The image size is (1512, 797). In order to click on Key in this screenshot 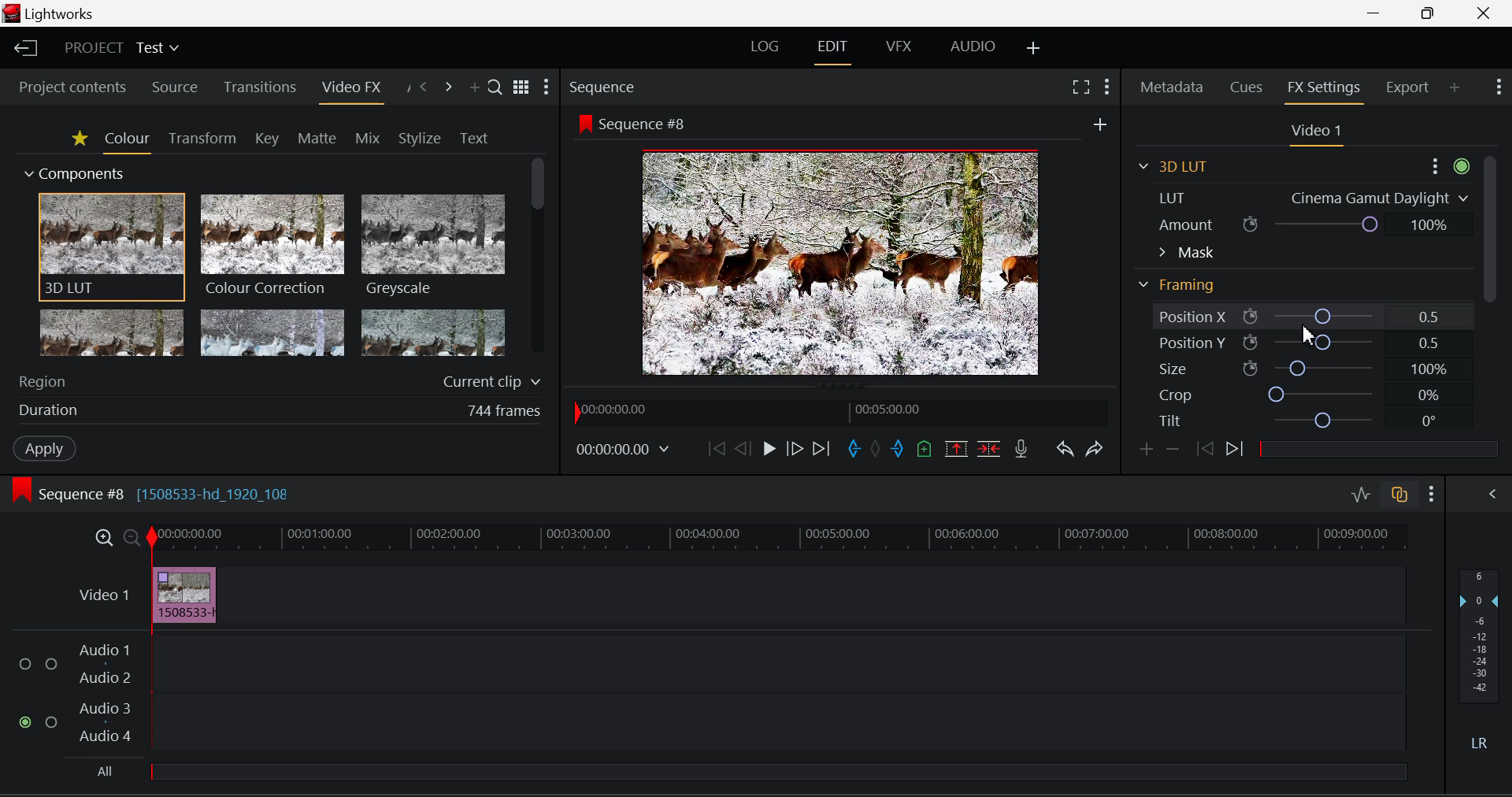, I will do `click(266, 139)`.